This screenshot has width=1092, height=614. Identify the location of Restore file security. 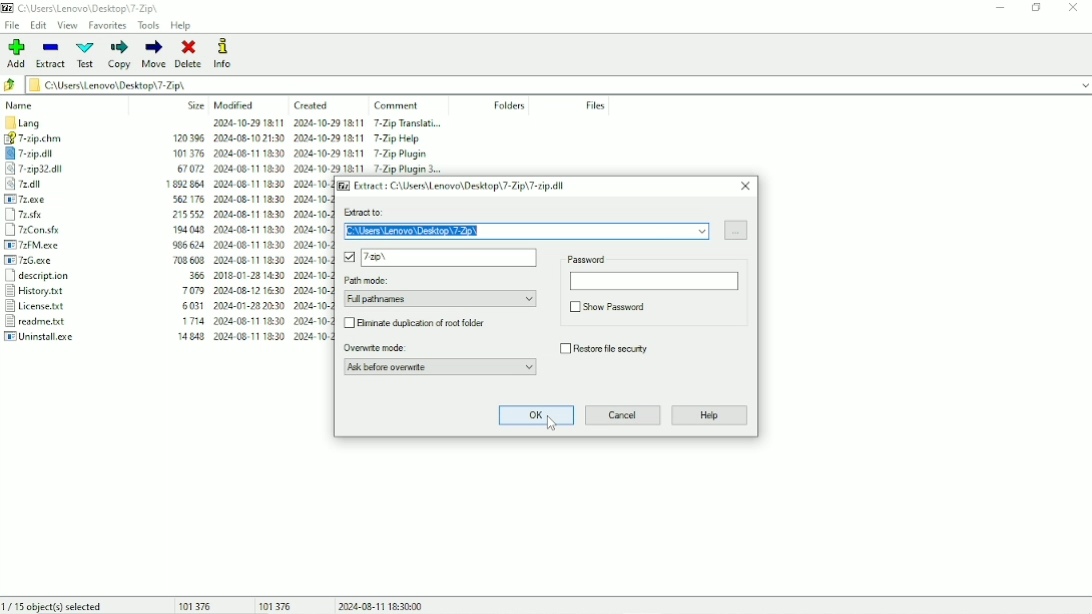
(606, 351).